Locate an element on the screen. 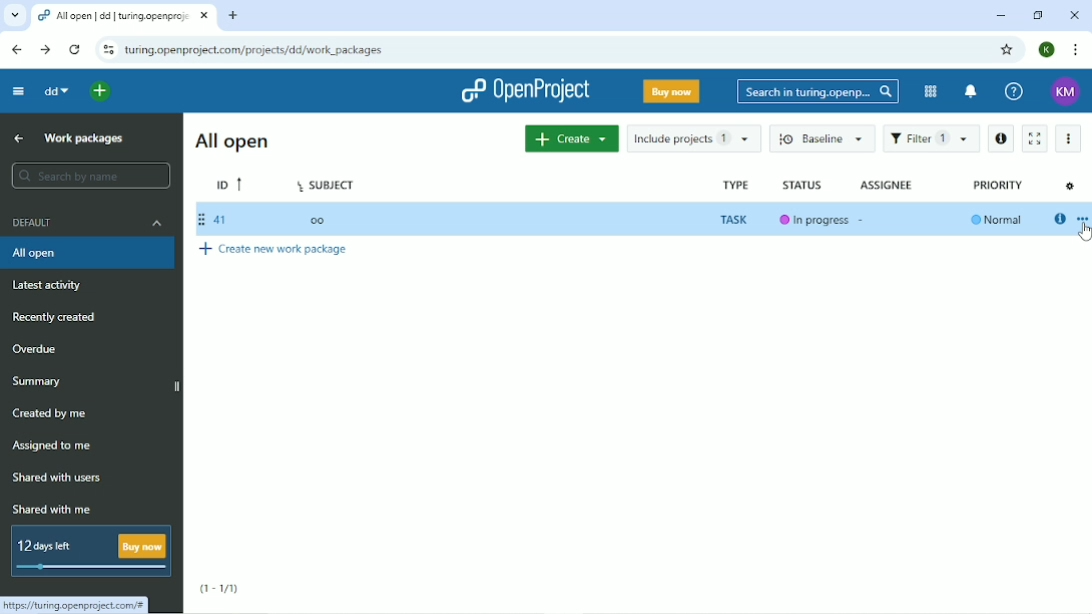  Include projects 1 is located at coordinates (694, 140).